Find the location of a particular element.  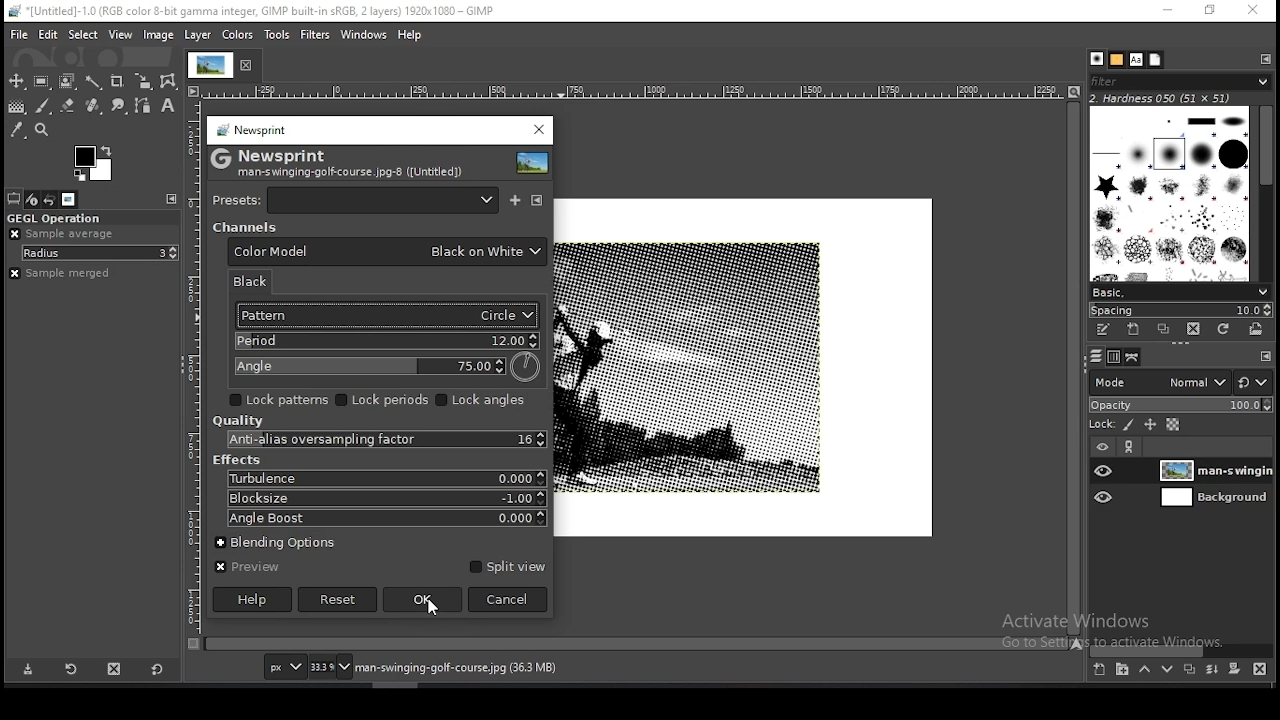

add a mask is located at coordinates (1236, 669).